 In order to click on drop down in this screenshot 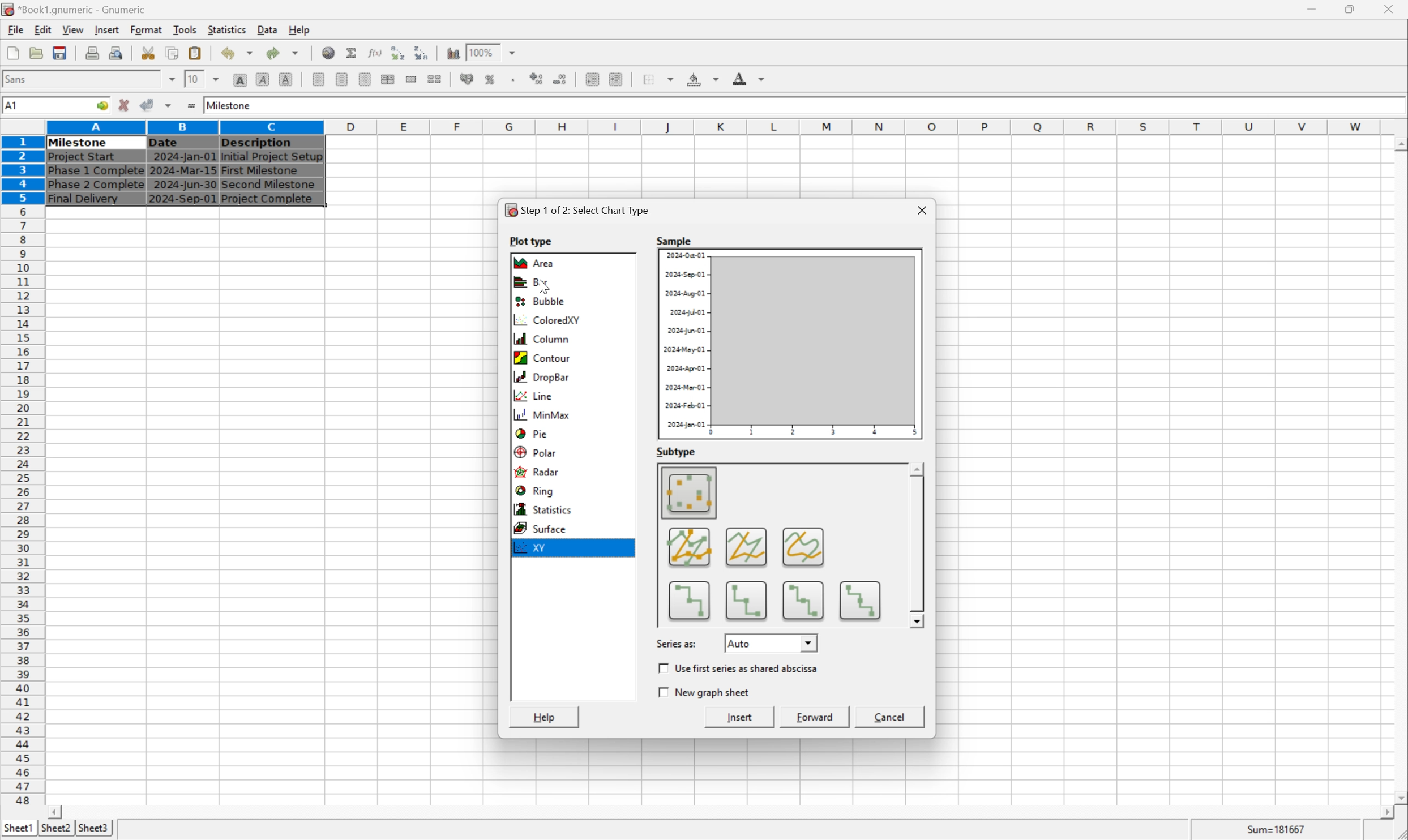, I will do `click(217, 78)`.